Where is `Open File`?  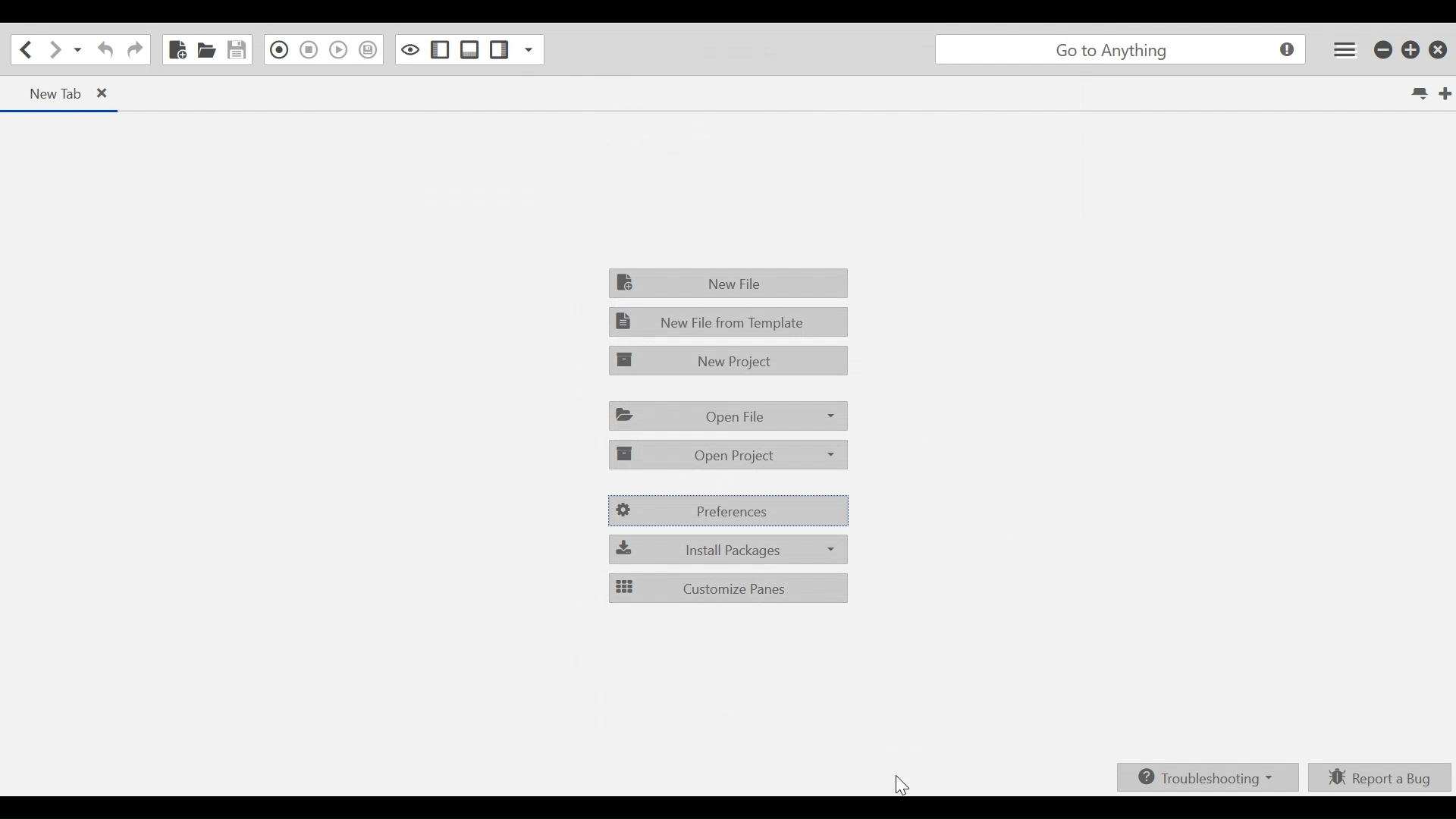 Open File is located at coordinates (726, 416).